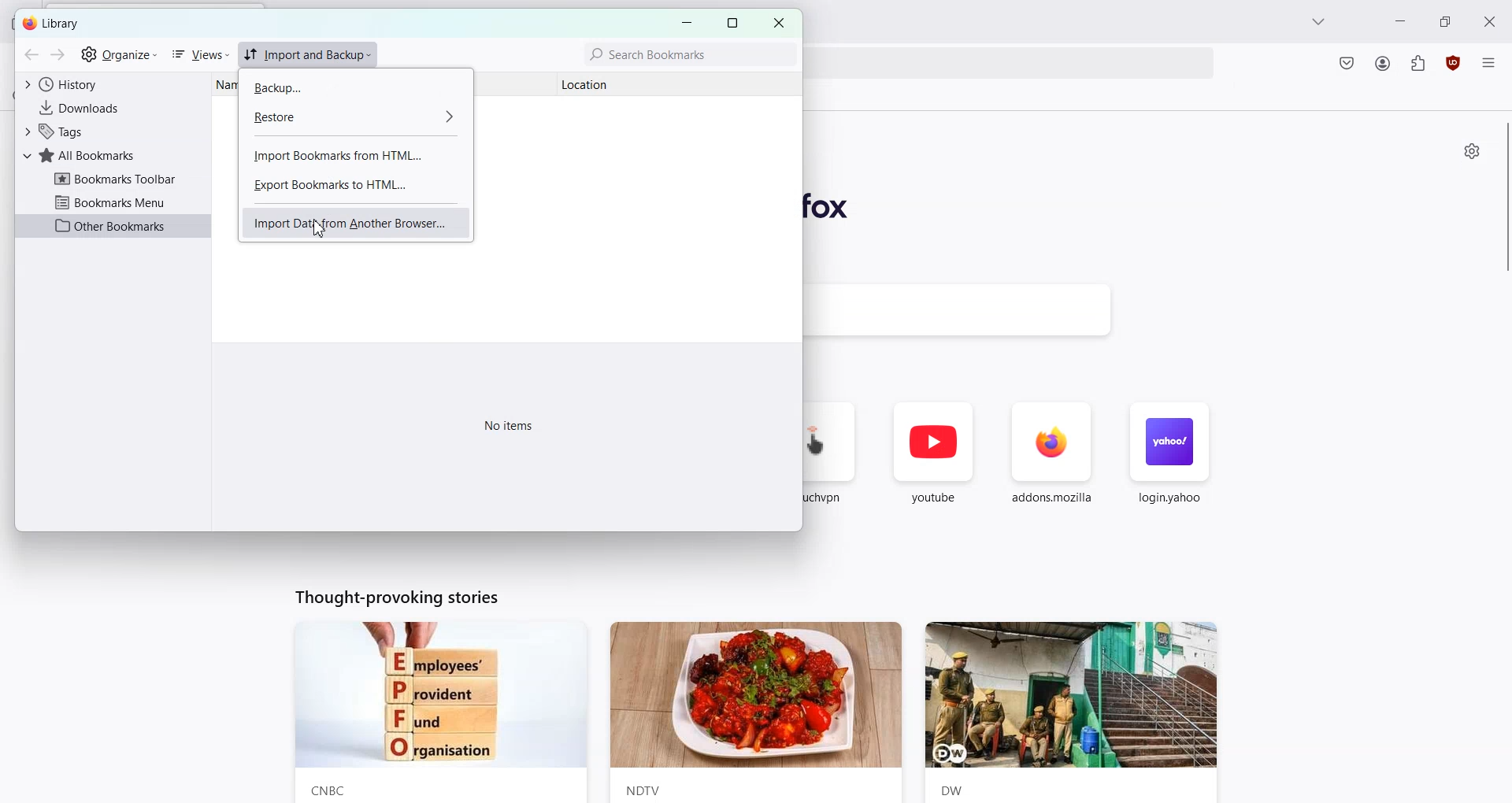 This screenshot has height=803, width=1512. Describe the element at coordinates (510, 425) in the screenshot. I see `Text` at that location.